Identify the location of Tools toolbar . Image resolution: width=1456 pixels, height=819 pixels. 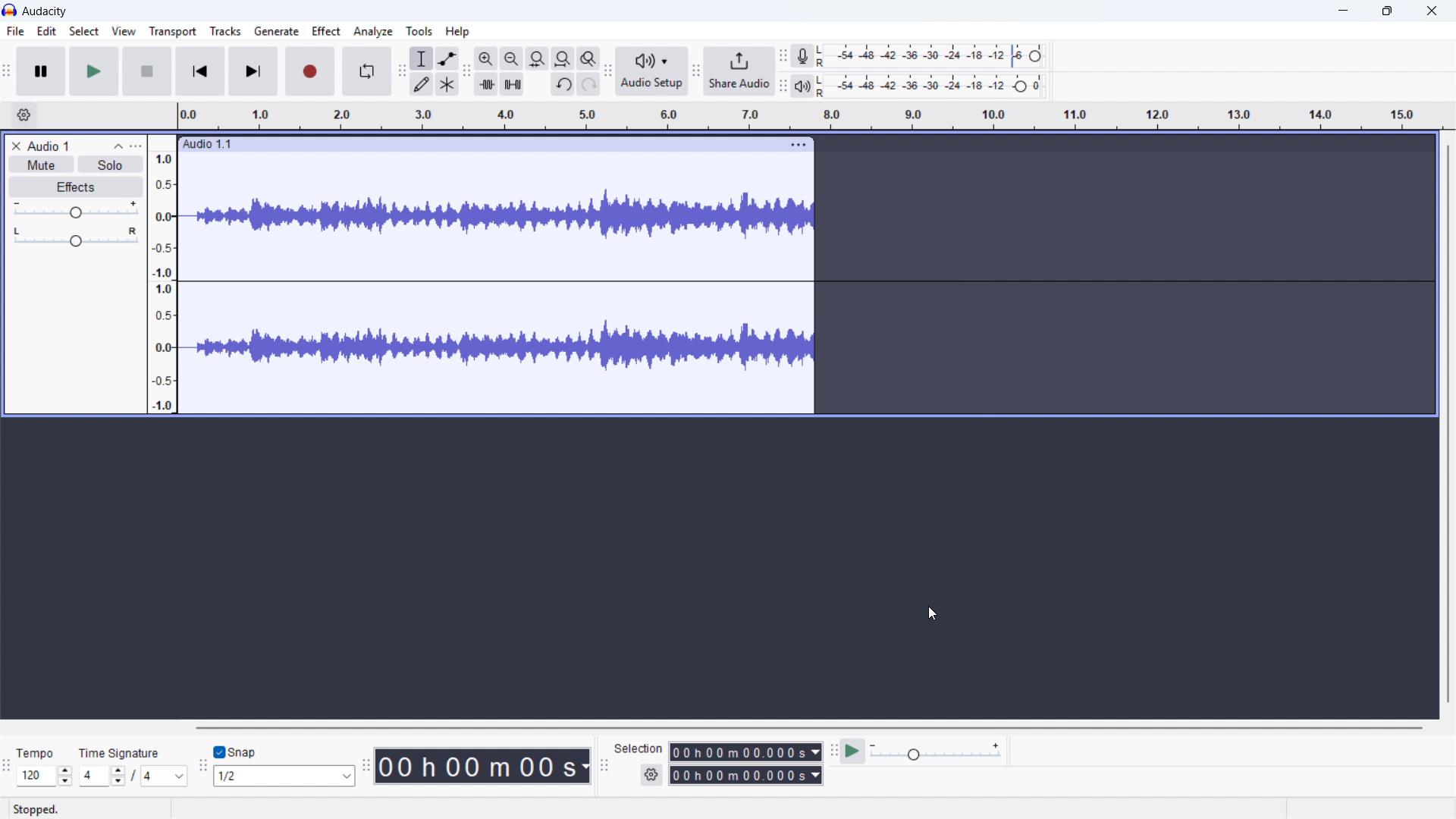
(401, 71).